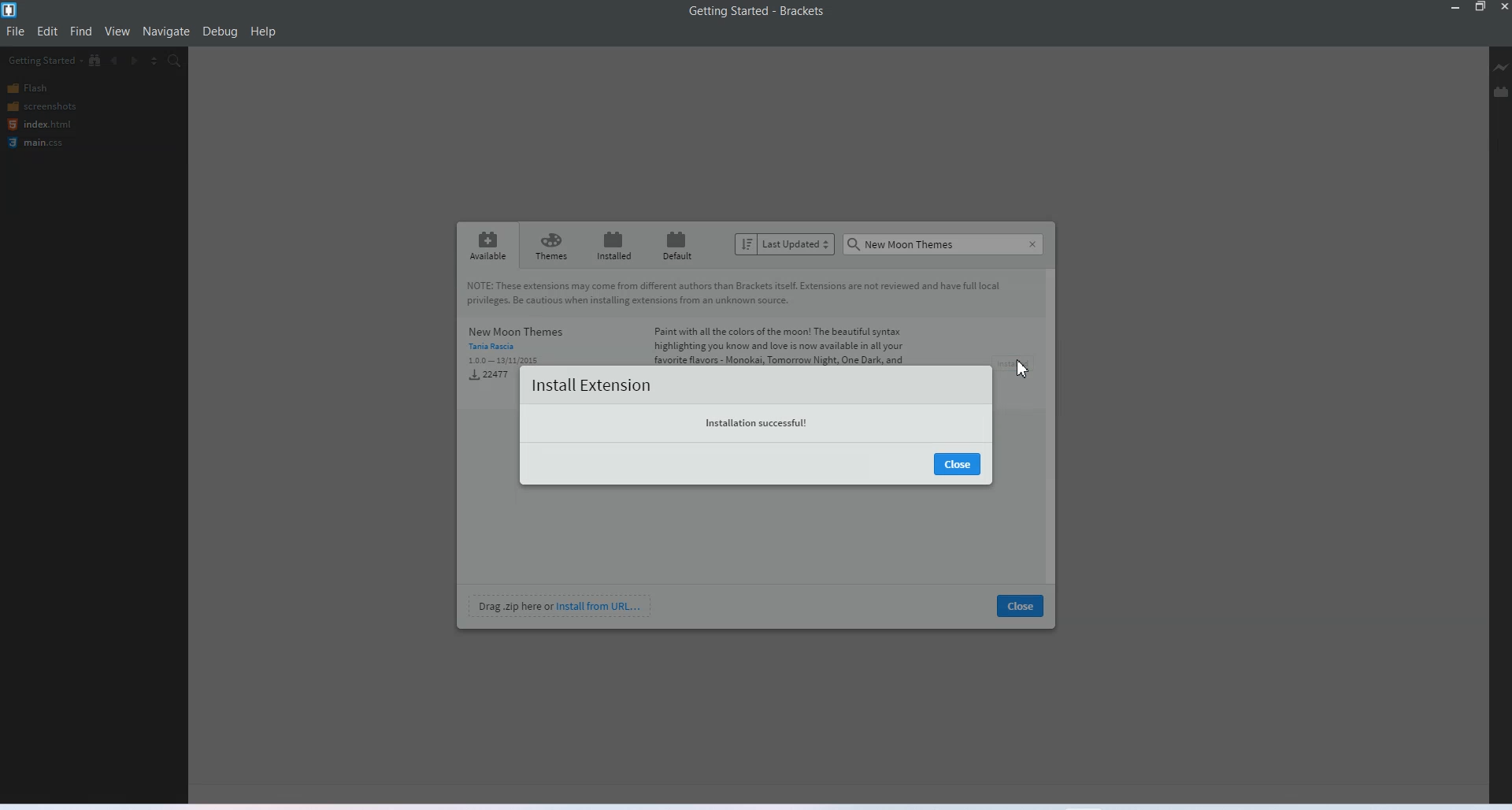  I want to click on Find, so click(81, 32).